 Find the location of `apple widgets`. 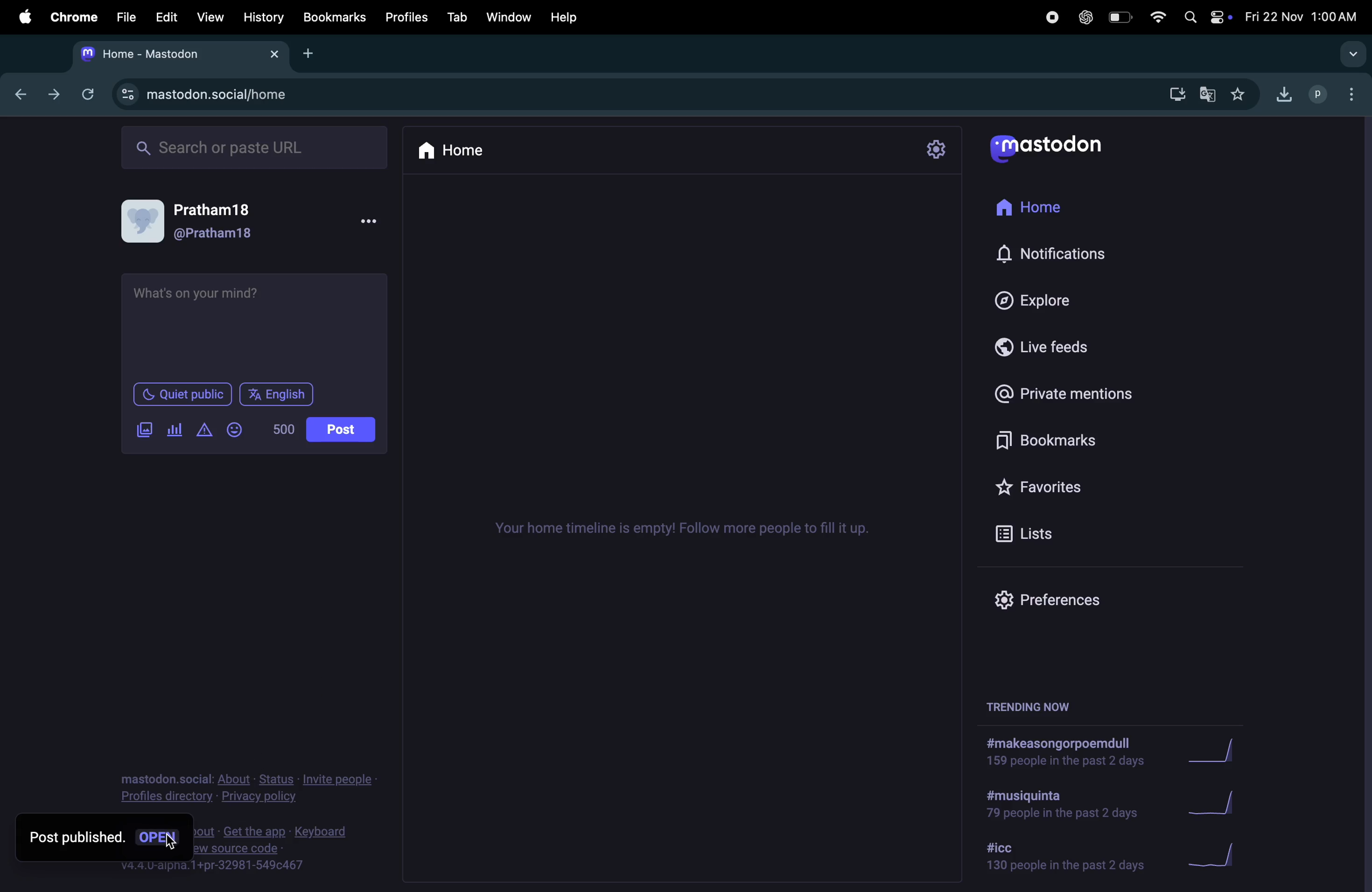

apple widgets is located at coordinates (1218, 16).